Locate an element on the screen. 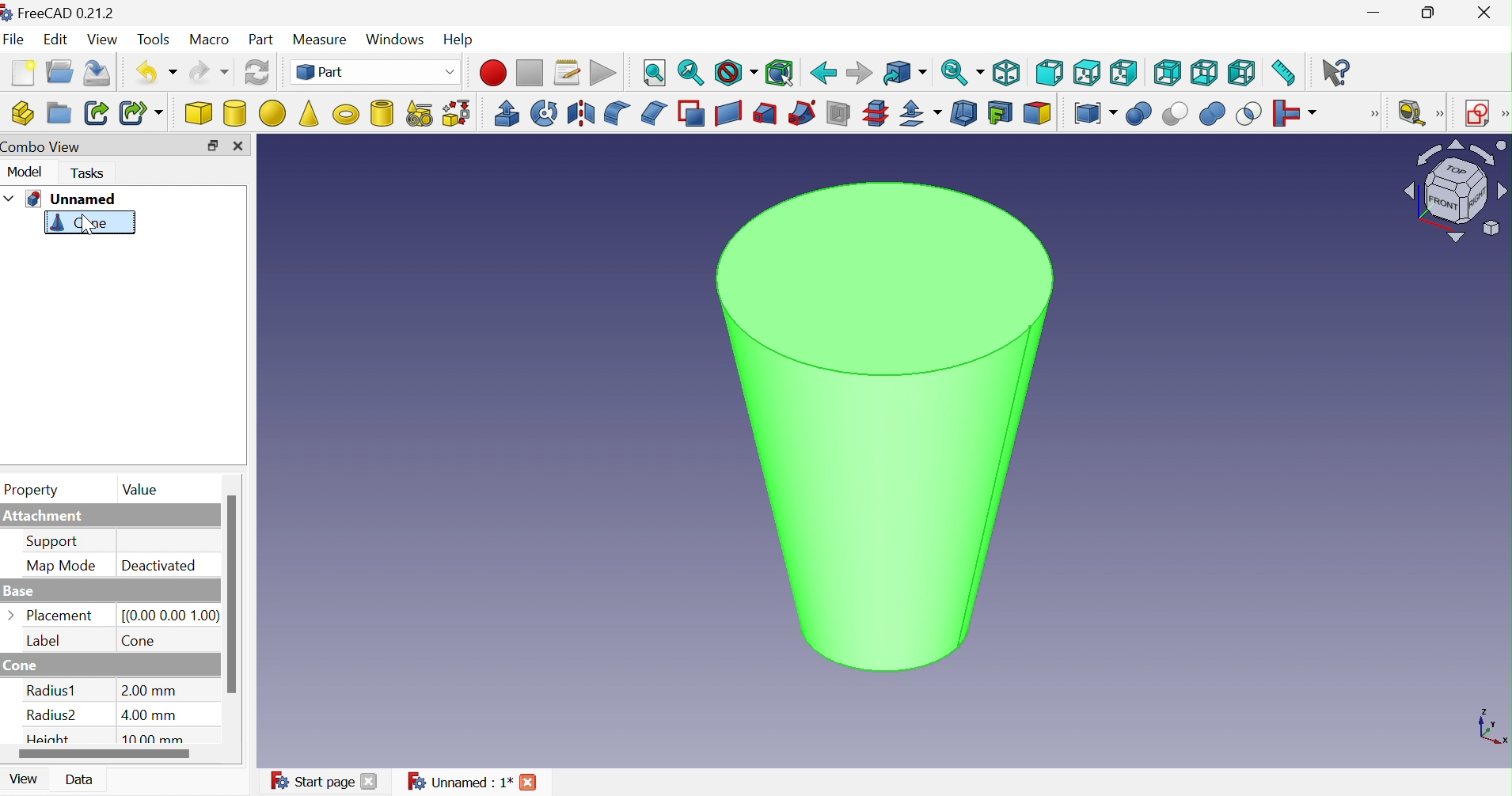 This screenshot has width=1512, height=796. Close is located at coordinates (237, 146).